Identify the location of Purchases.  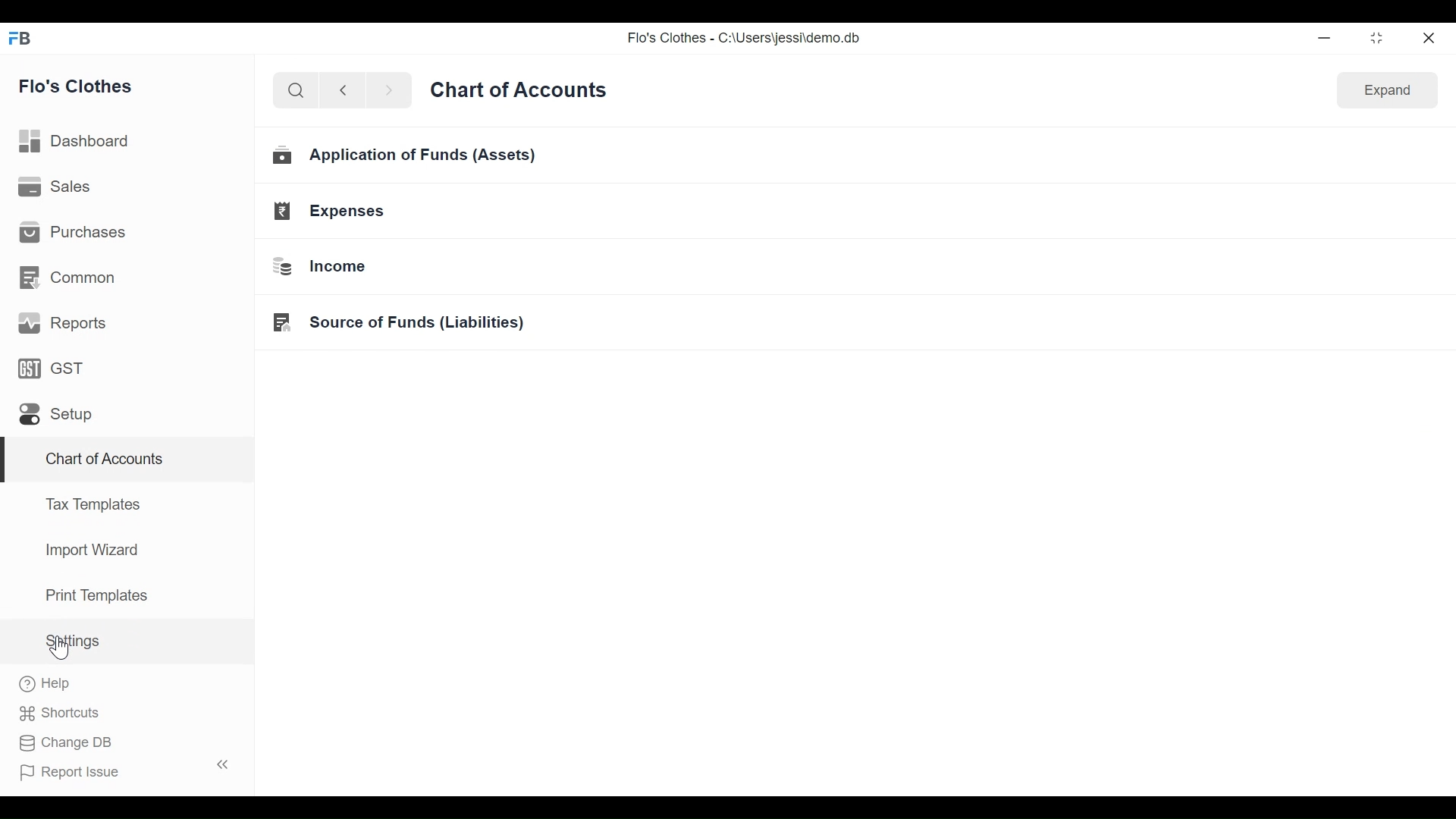
(71, 233).